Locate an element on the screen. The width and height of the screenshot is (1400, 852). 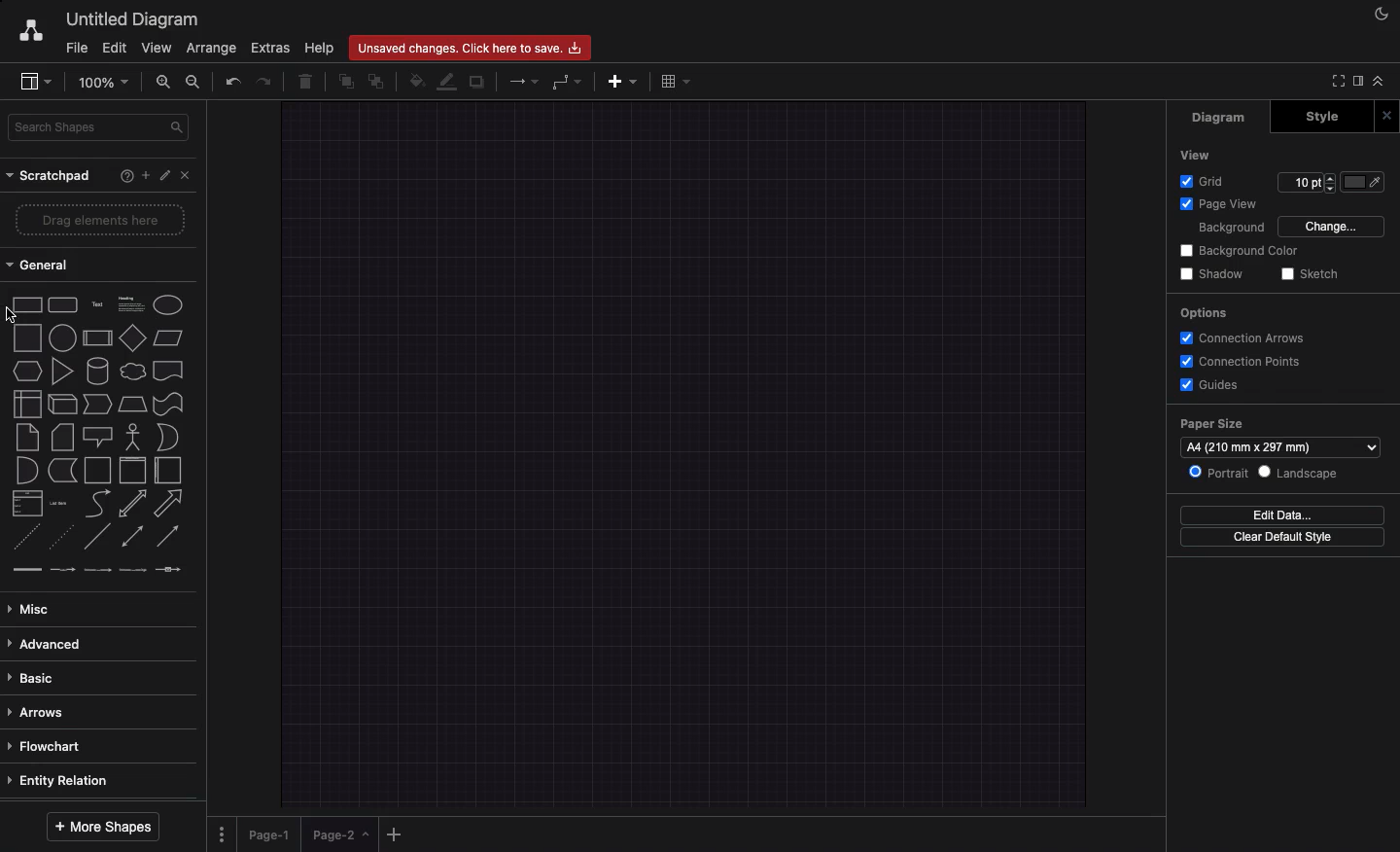
ellipse is located at coordinates (168, 302).